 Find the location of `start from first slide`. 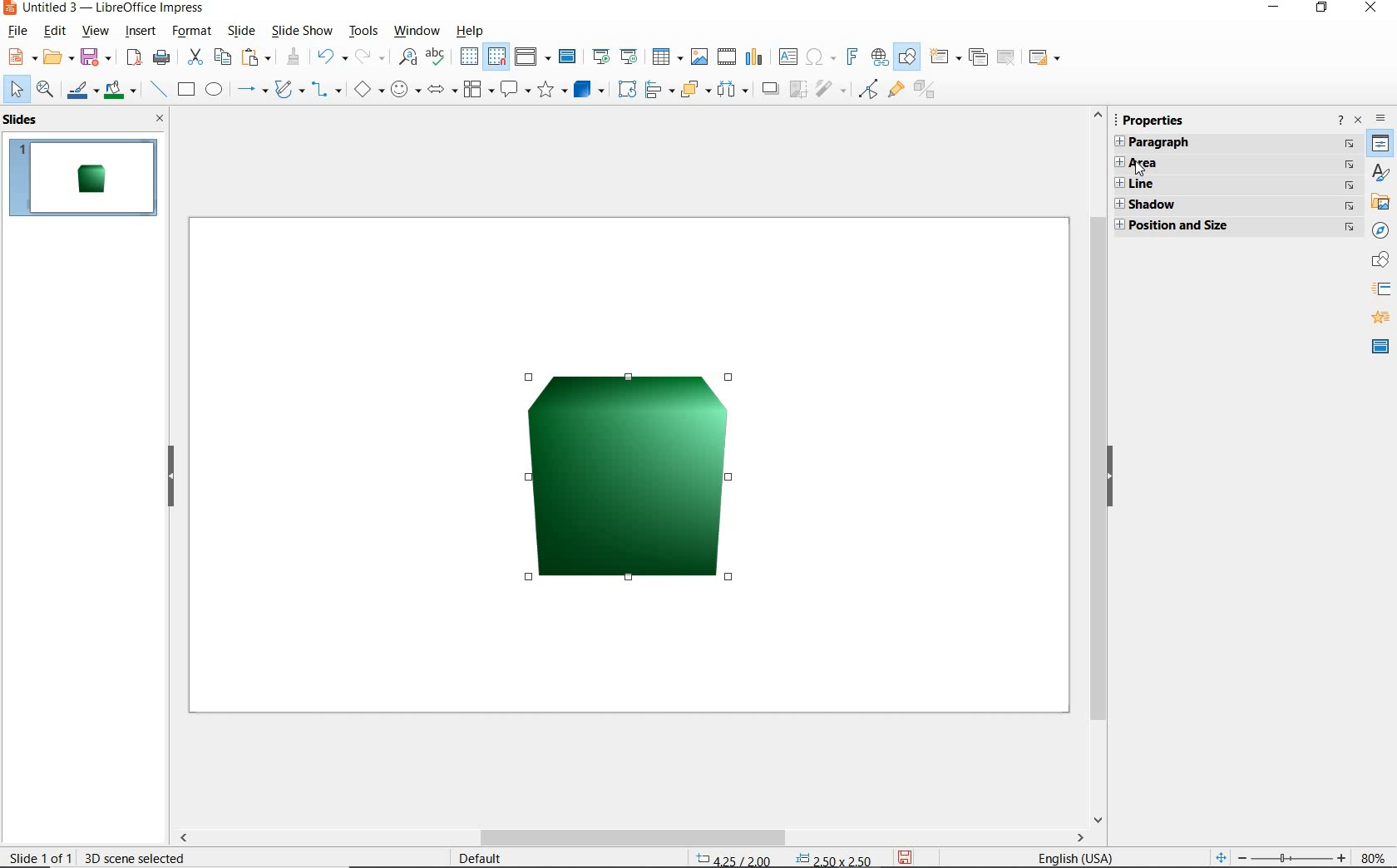

start from first slide is located at coordinates (604, 57).